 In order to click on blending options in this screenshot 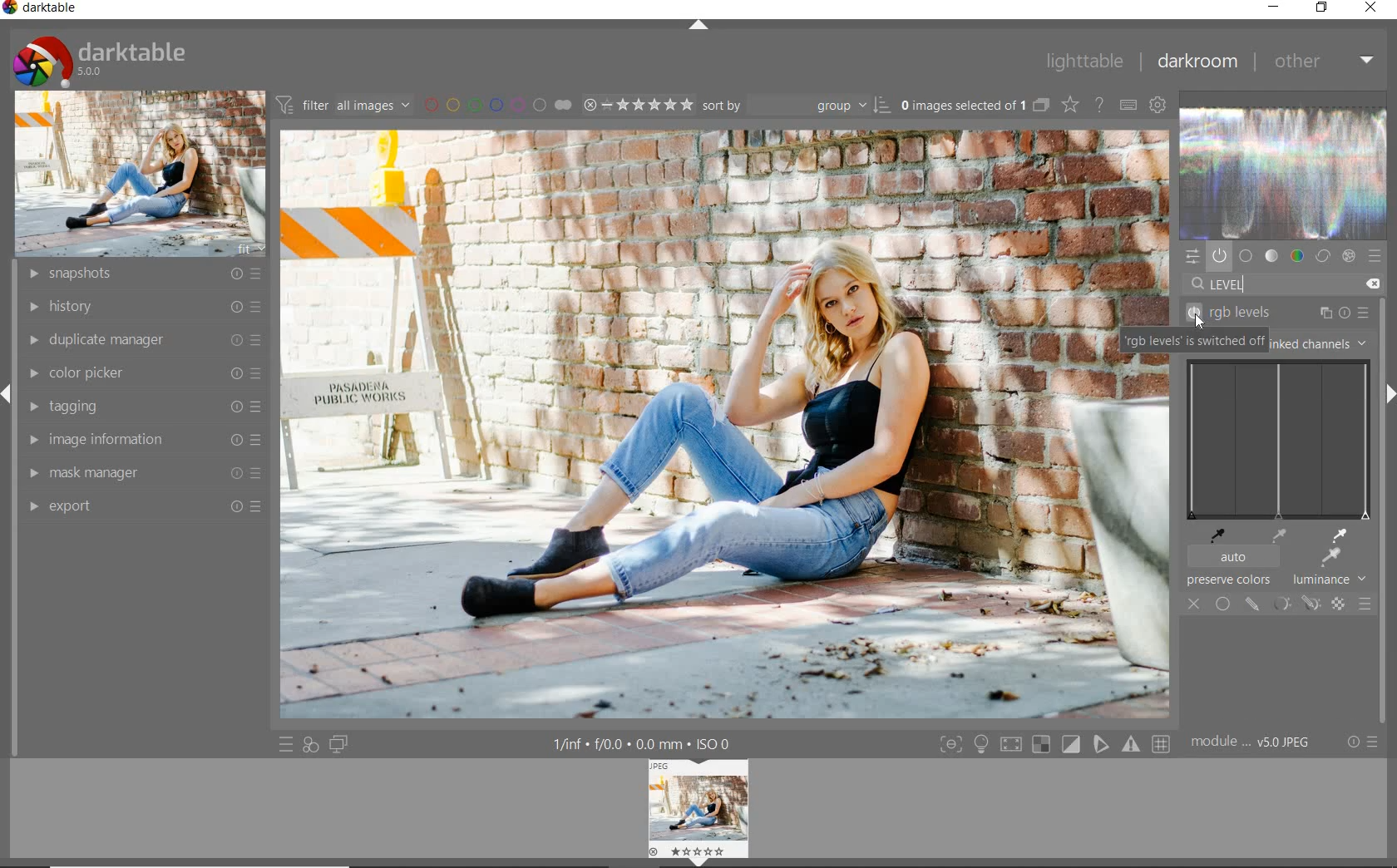, I will do `click(1365, 602)`.